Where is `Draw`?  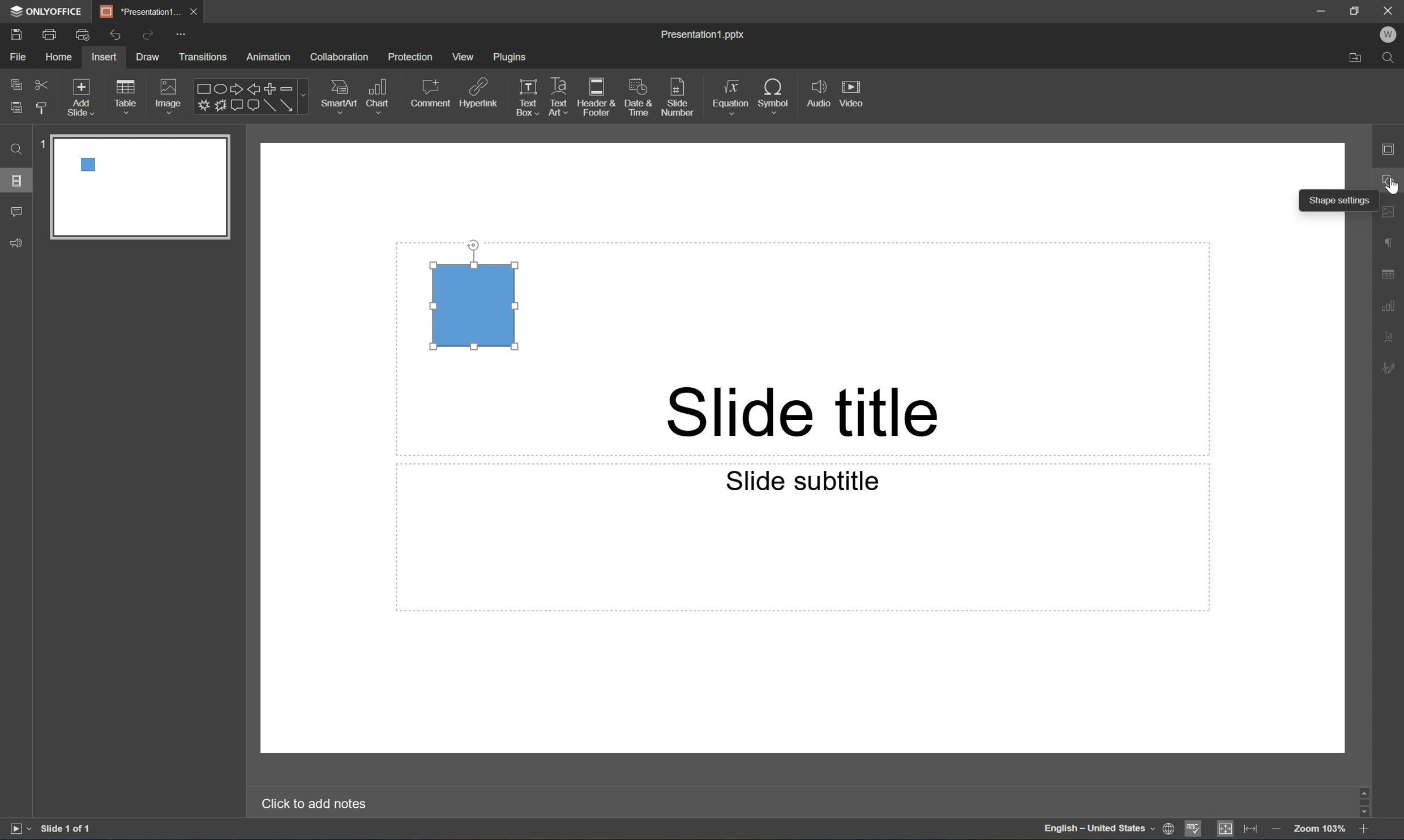 Draw is located at coordinates (149, 57).